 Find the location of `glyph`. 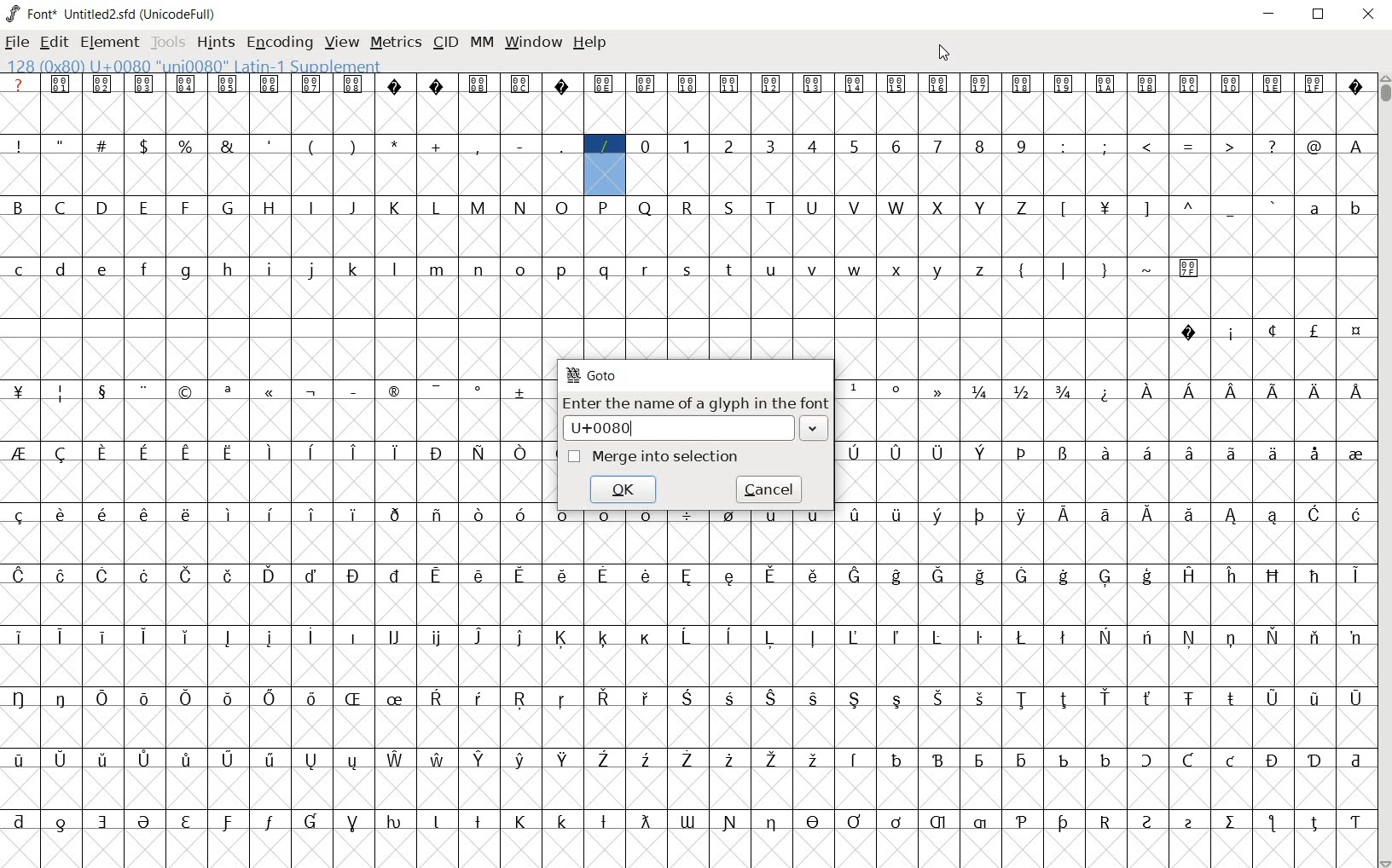

glyph is located at coordinates (1145, 760).